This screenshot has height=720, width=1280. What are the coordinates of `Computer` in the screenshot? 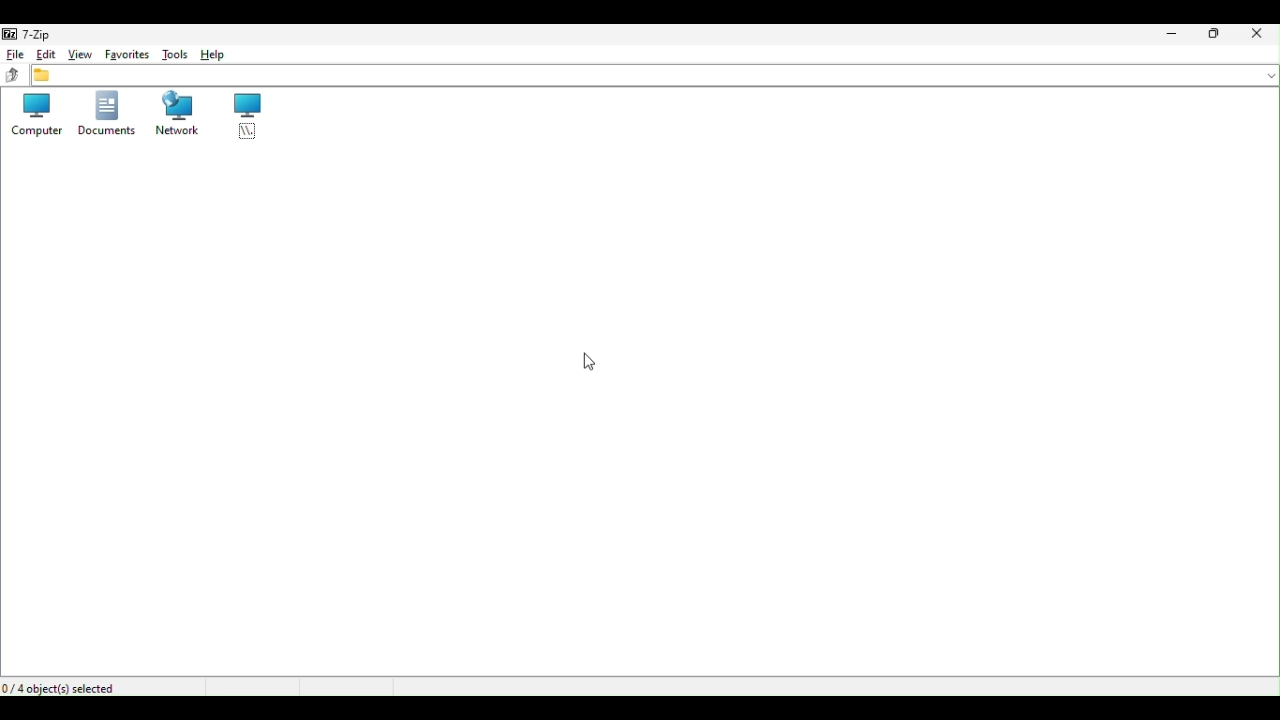 It's located at (30, 117).